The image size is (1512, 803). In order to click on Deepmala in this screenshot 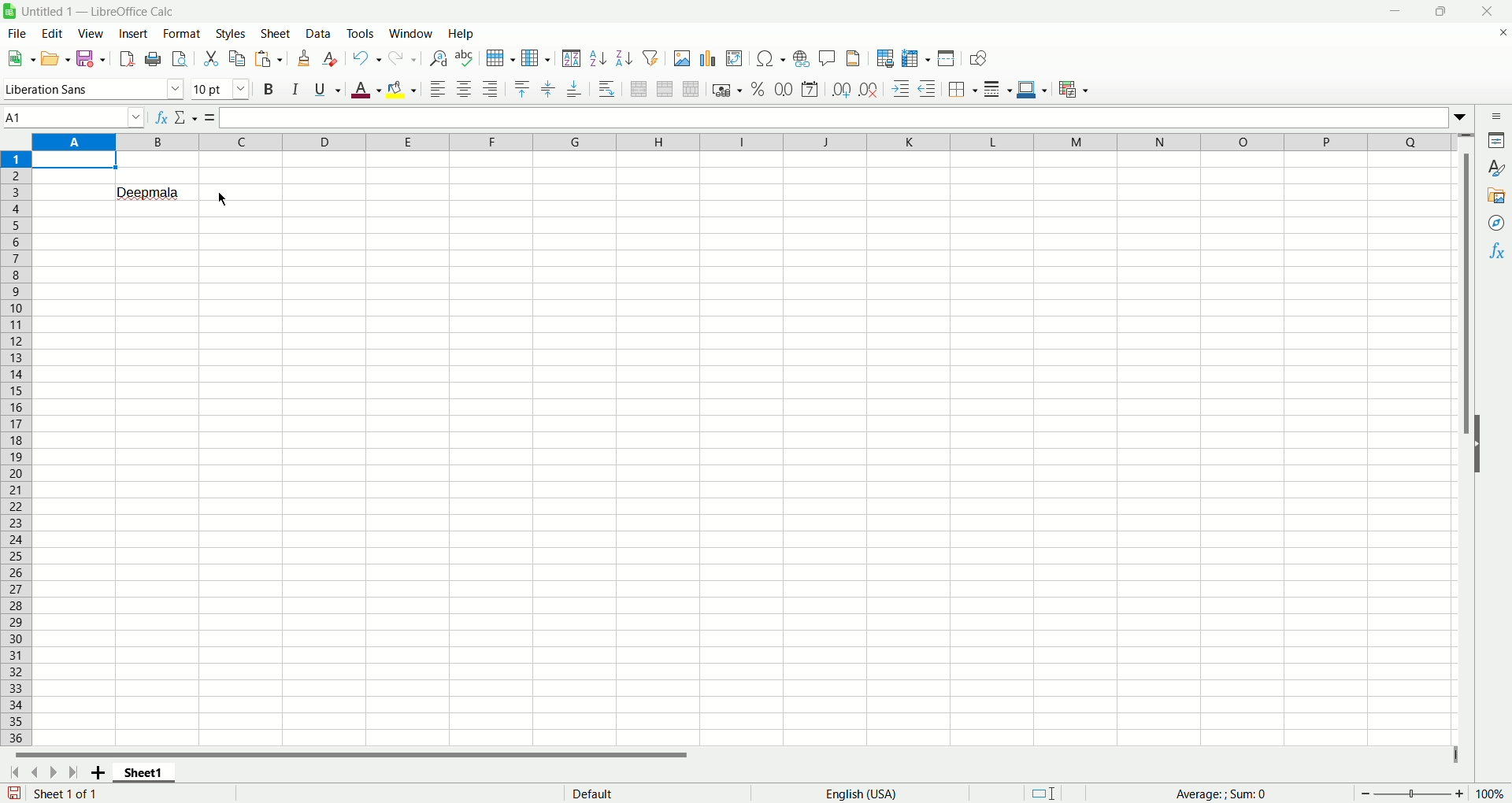, I will do `click(150, 191)`.